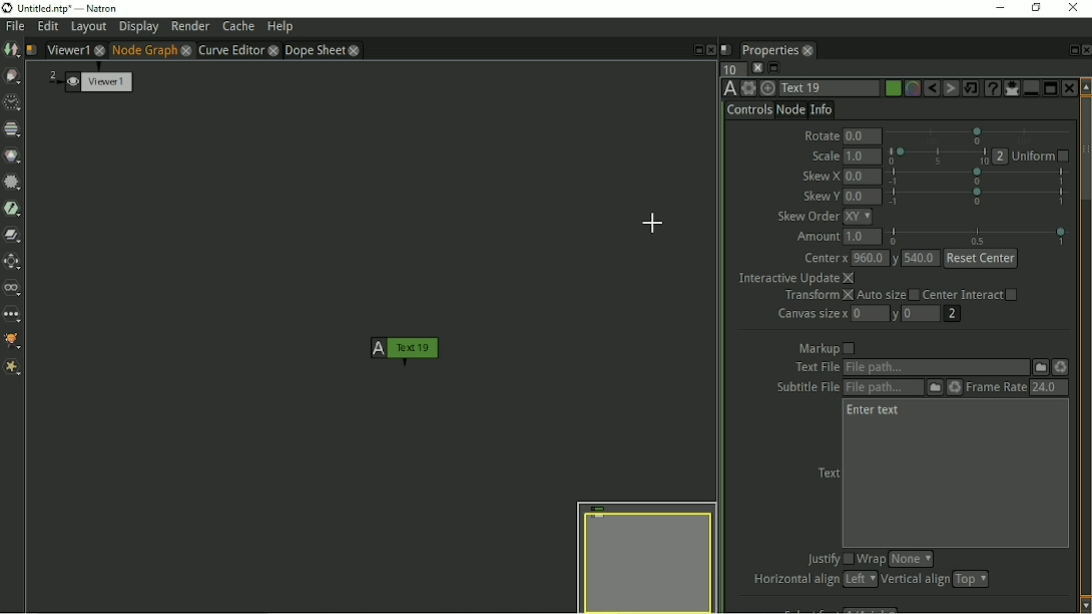  What do you see at coordinates (13, 315) in the screenshot?
I see `Other` at bounding box center [13, 315].